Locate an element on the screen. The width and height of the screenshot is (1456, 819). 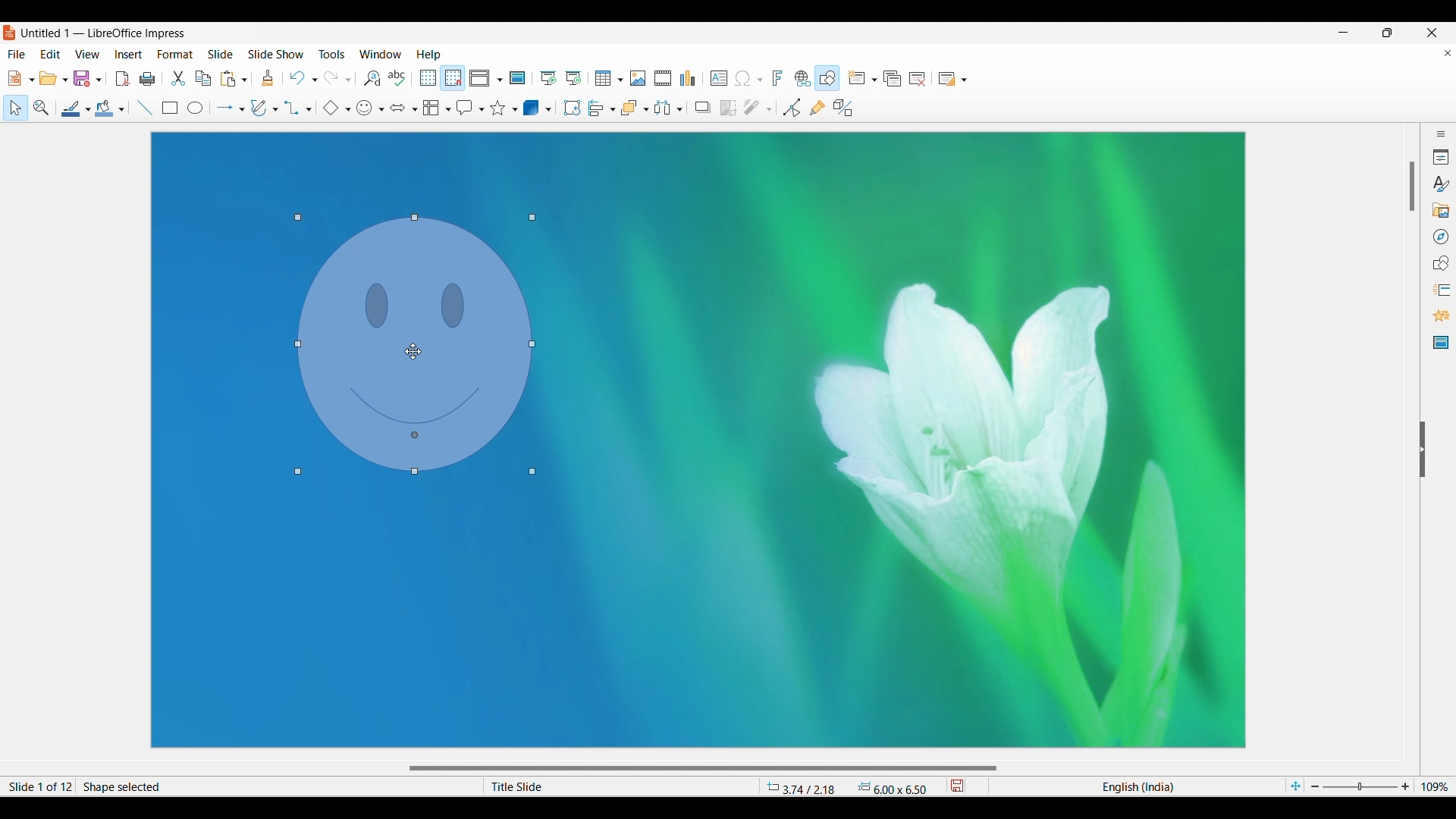
Redo specific action is located at coordinates (348, 80).